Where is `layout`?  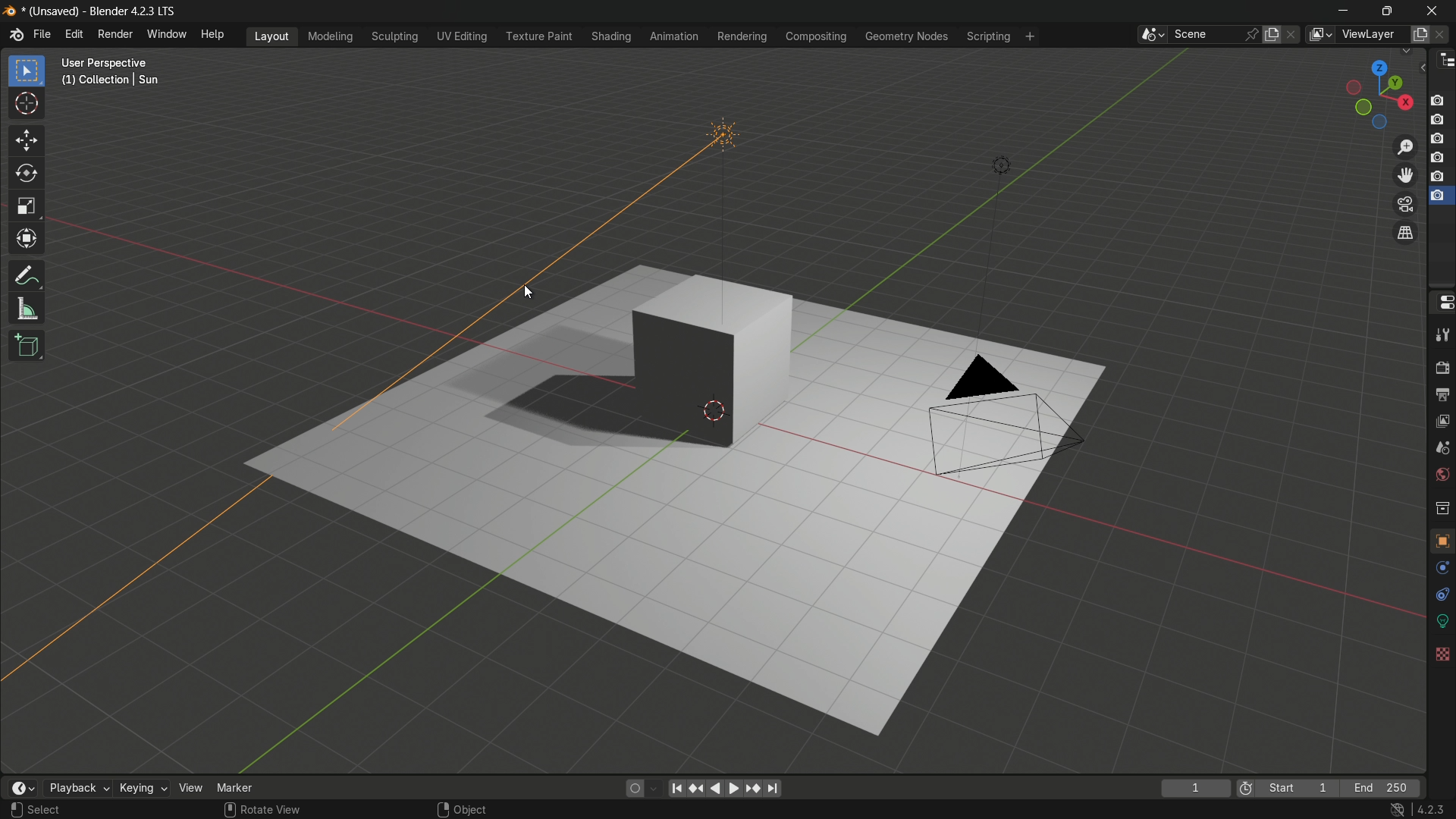 layout is located at coordinates (274, 36).